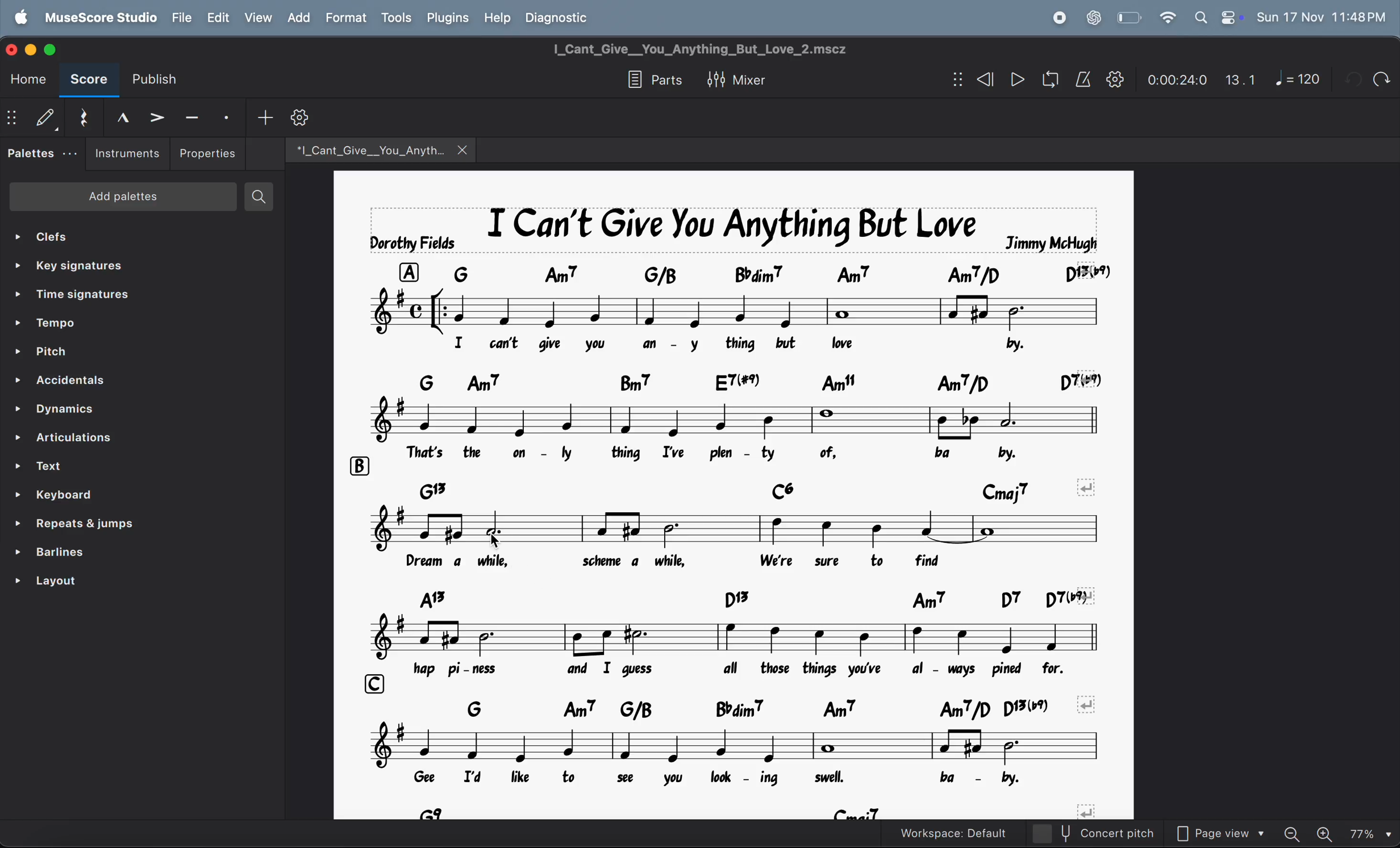 This screenshot has width=1400, height=848. What do you see at coordinates (1094, 18) in the screenshot?
I see `chatgpt` at bounding box center [1094, 18].